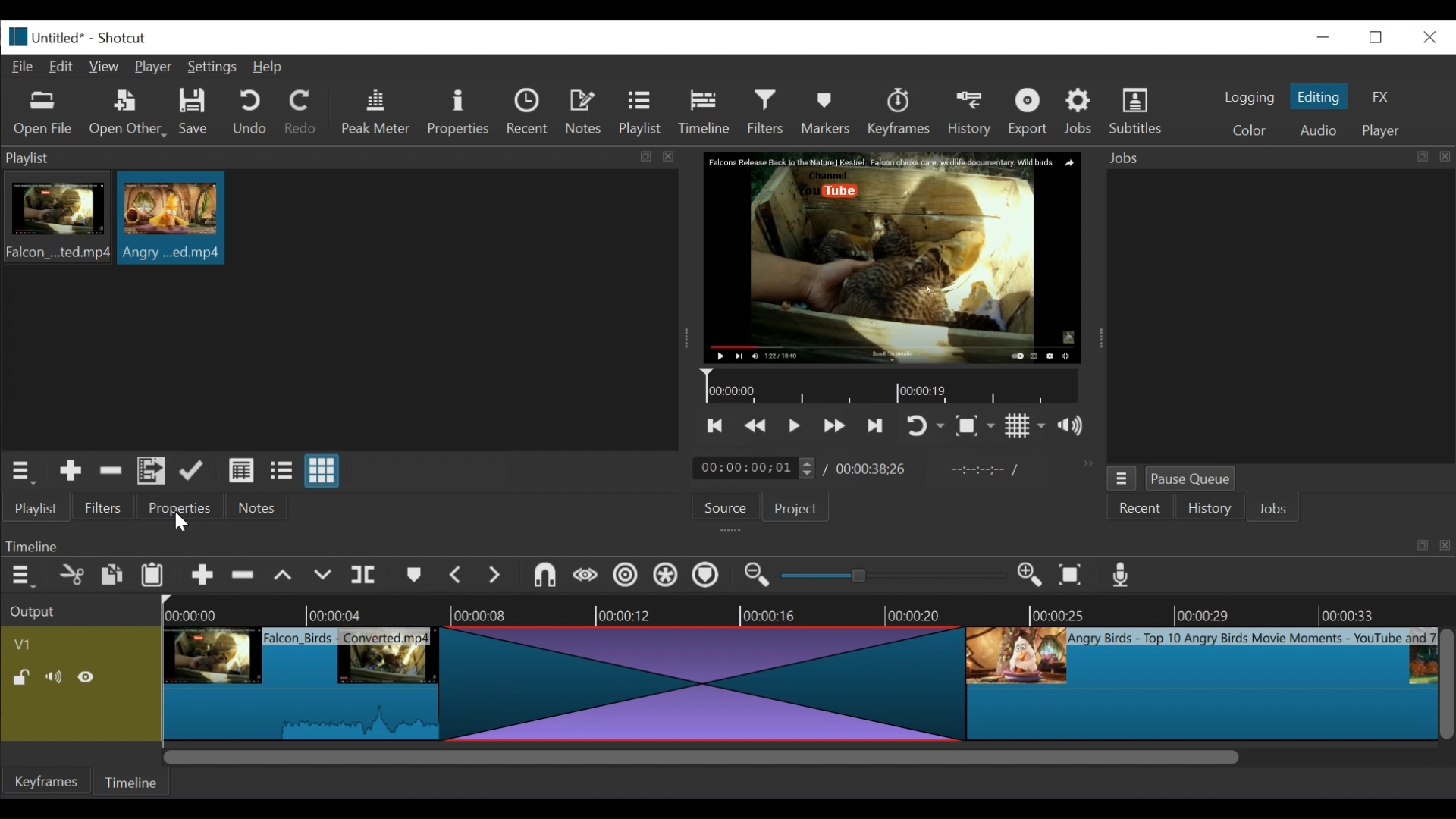 The height and width of the screenshot is (819, 1456). Describe the element at coordinates (134, 780) in the screenshot. I see `Timeline` at that location.